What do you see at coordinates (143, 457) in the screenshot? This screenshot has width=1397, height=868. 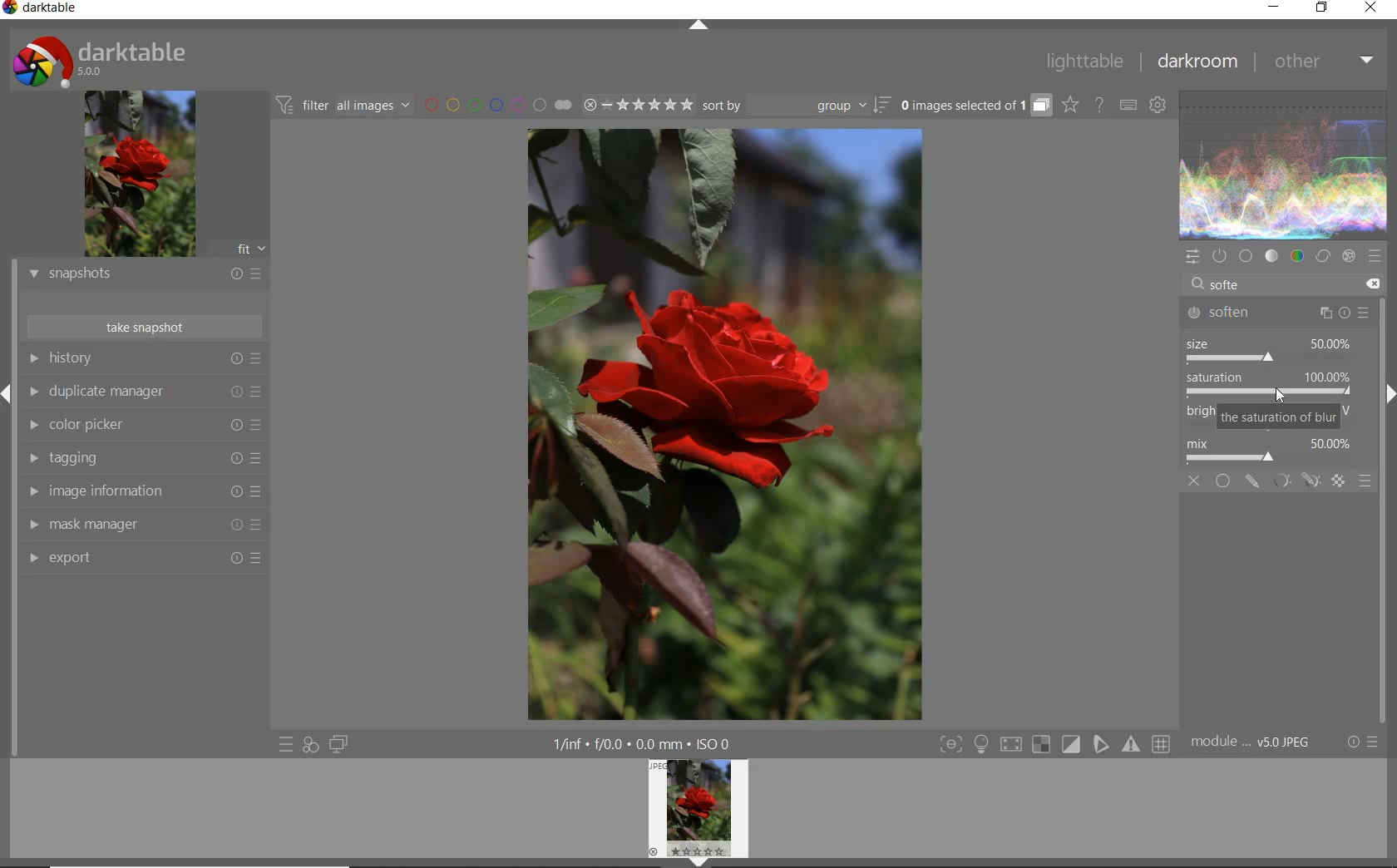 I see `tagging` at bounding box center [143, 457].